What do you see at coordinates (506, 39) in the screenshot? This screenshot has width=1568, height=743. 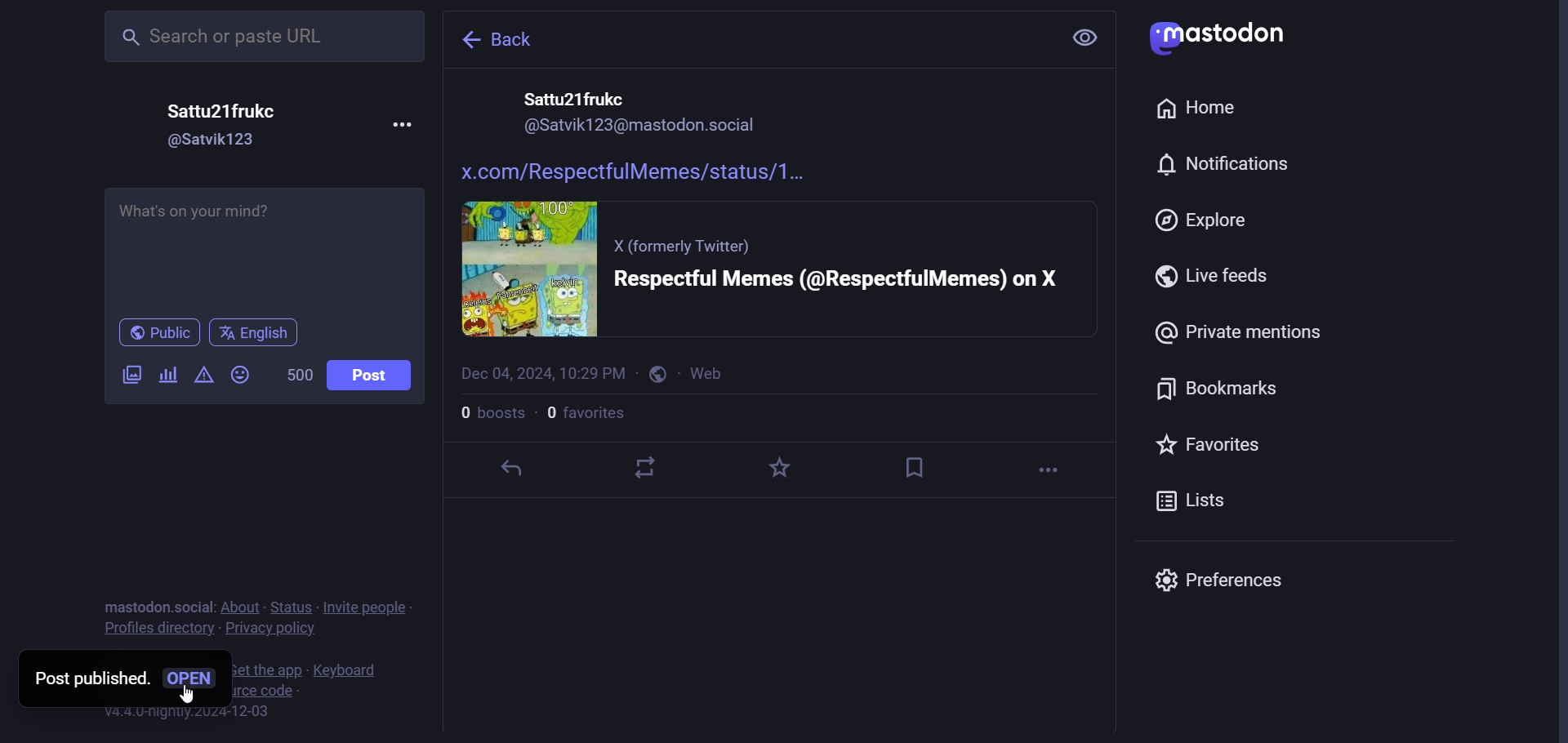 I see `back` at bounding box center [506, 39].